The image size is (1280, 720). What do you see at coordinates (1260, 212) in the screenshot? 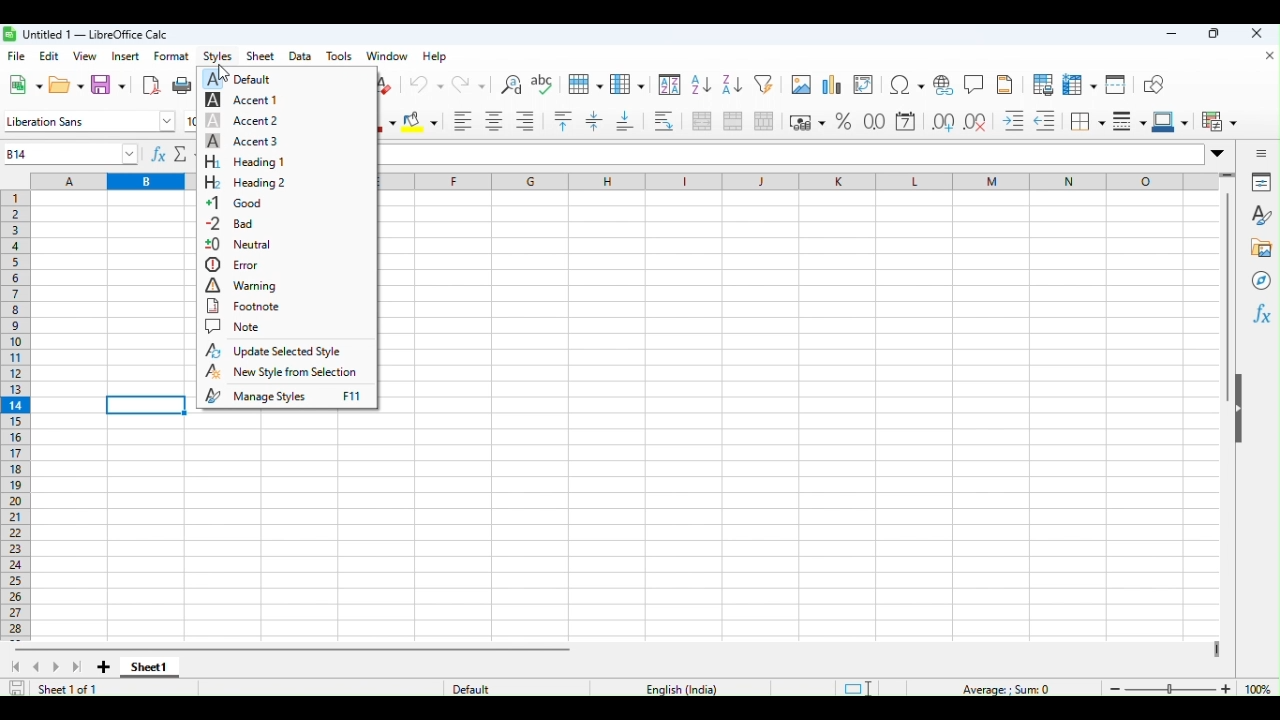
I see `Style` at bounding box center [1260, 212].